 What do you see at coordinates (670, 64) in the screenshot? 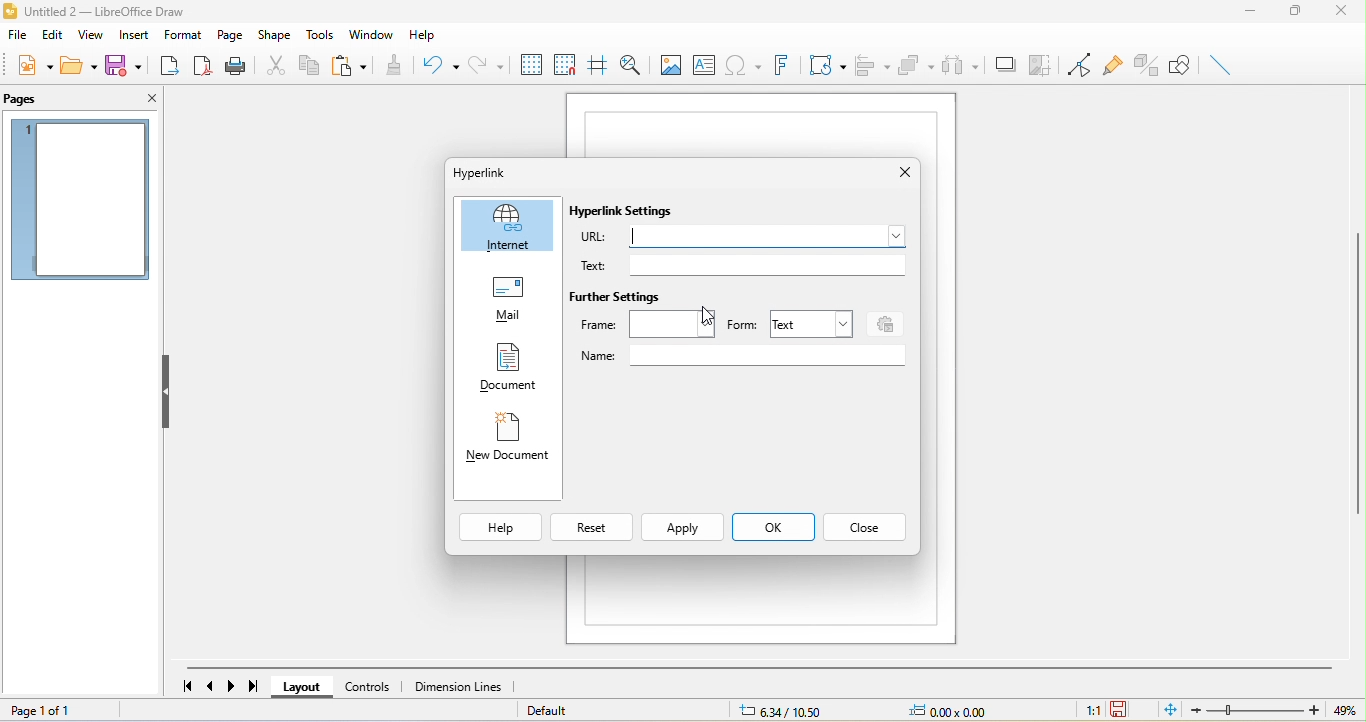
I see `image` at bounding box center [670, 64].